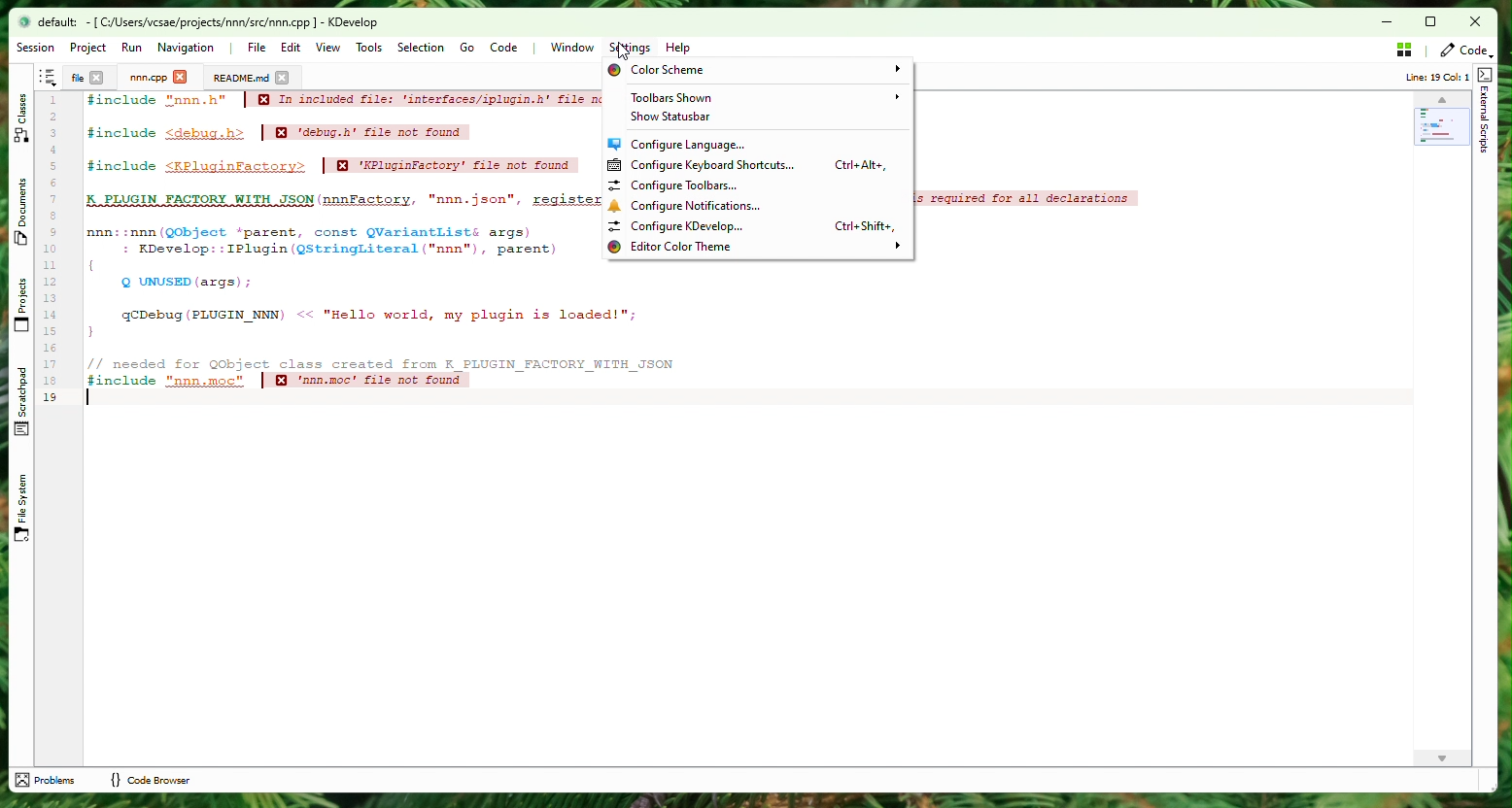  What do you see at coordinates (52, 779) in the screenshot?
I see `problems` at bounding box center [52, 779].